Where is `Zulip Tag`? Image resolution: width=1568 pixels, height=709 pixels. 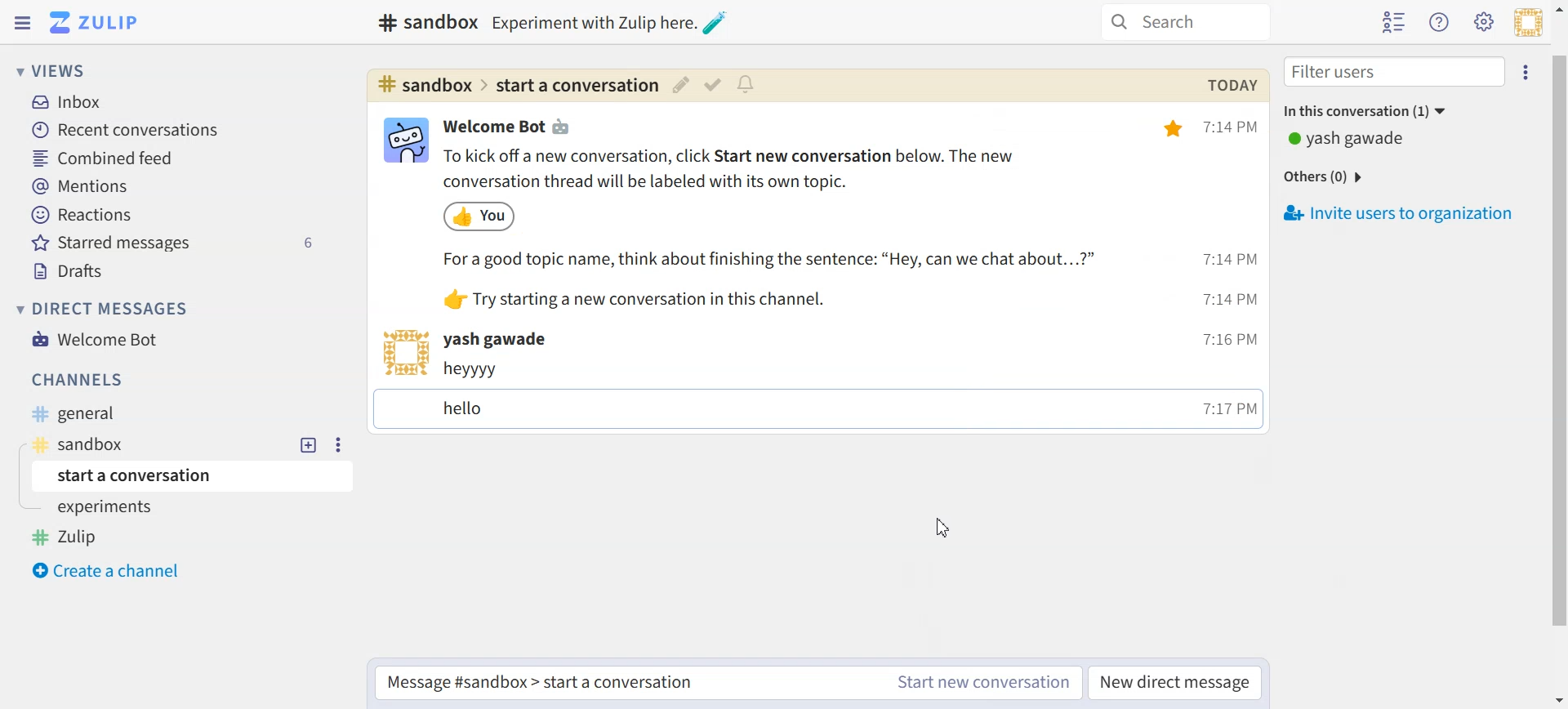 Zulip Tag is located at coordinates (73, 537).